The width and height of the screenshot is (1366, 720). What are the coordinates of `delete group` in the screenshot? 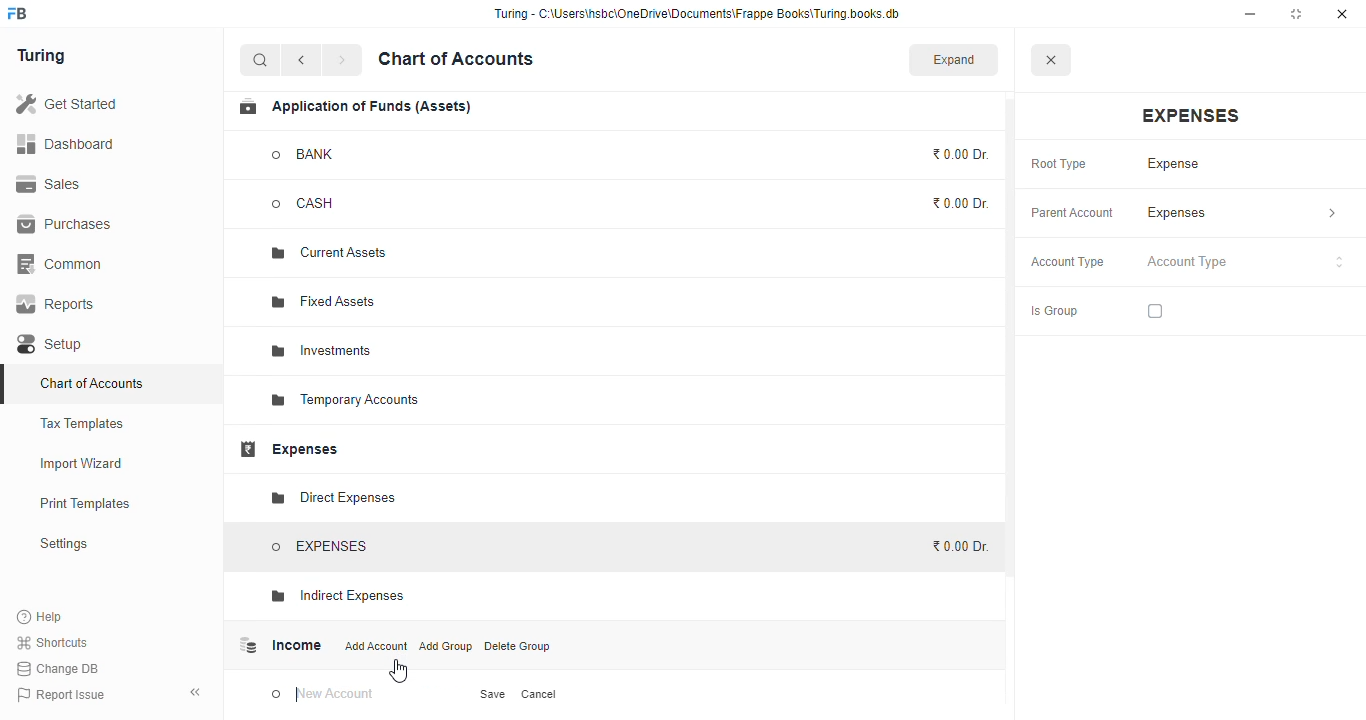 It's located at (517, 646).